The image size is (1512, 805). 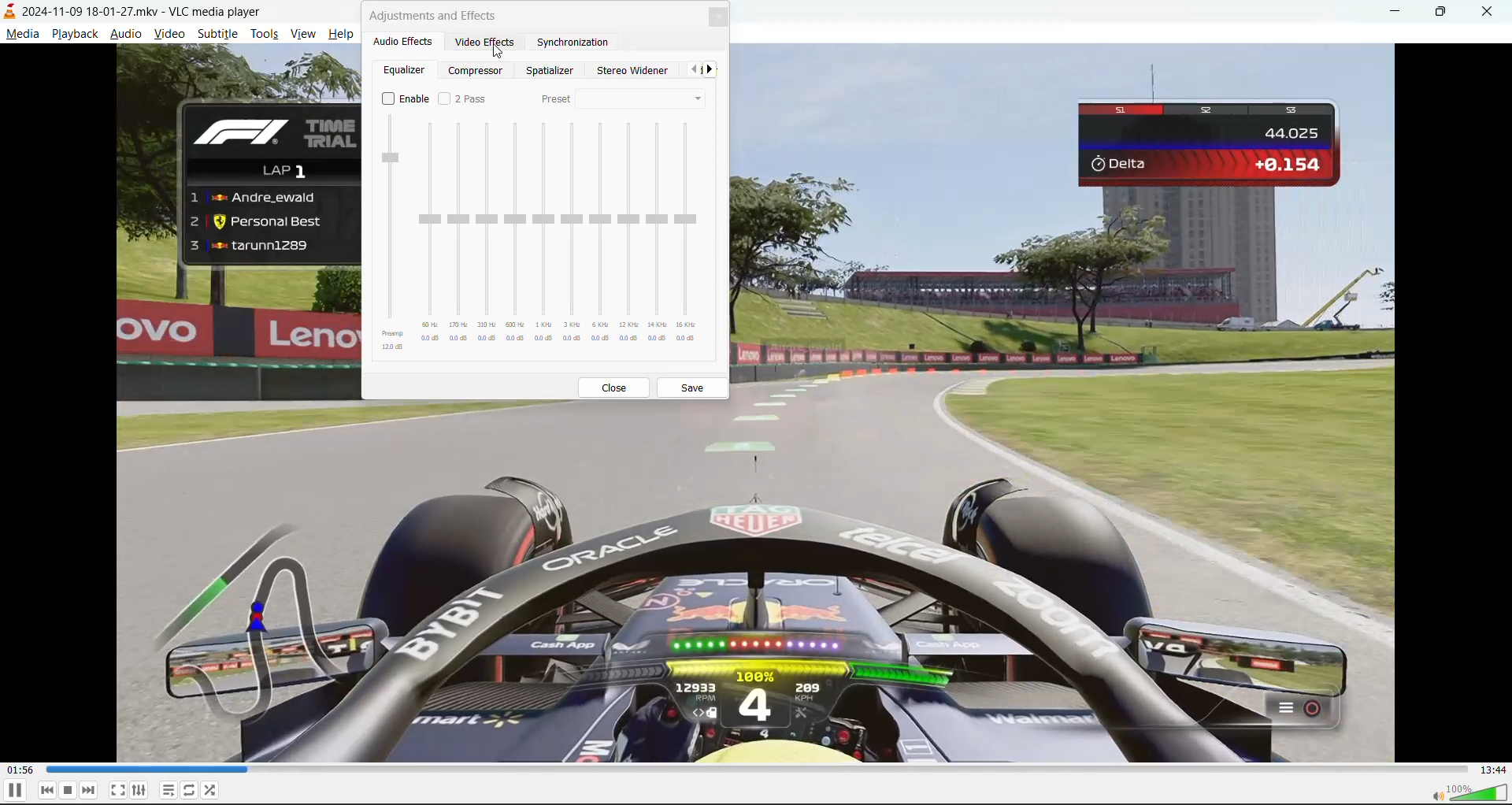 What do you see at coordinates (718, 21) in the screenshot?
I see `close tab` at bounding box center [718, 21].